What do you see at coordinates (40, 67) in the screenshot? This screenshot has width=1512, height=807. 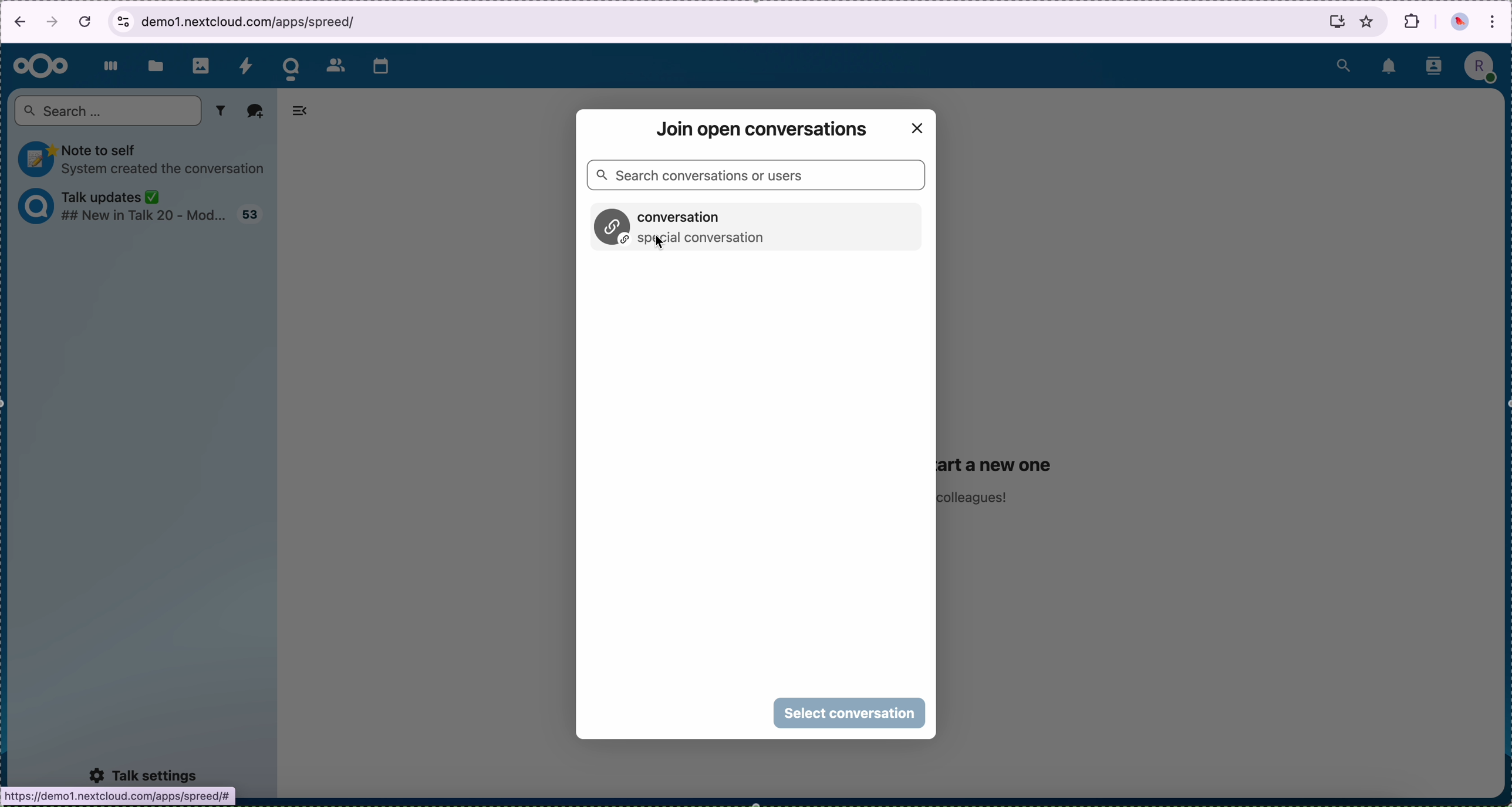 I see `Nextcloud logo` at bounding box center [40, 67].